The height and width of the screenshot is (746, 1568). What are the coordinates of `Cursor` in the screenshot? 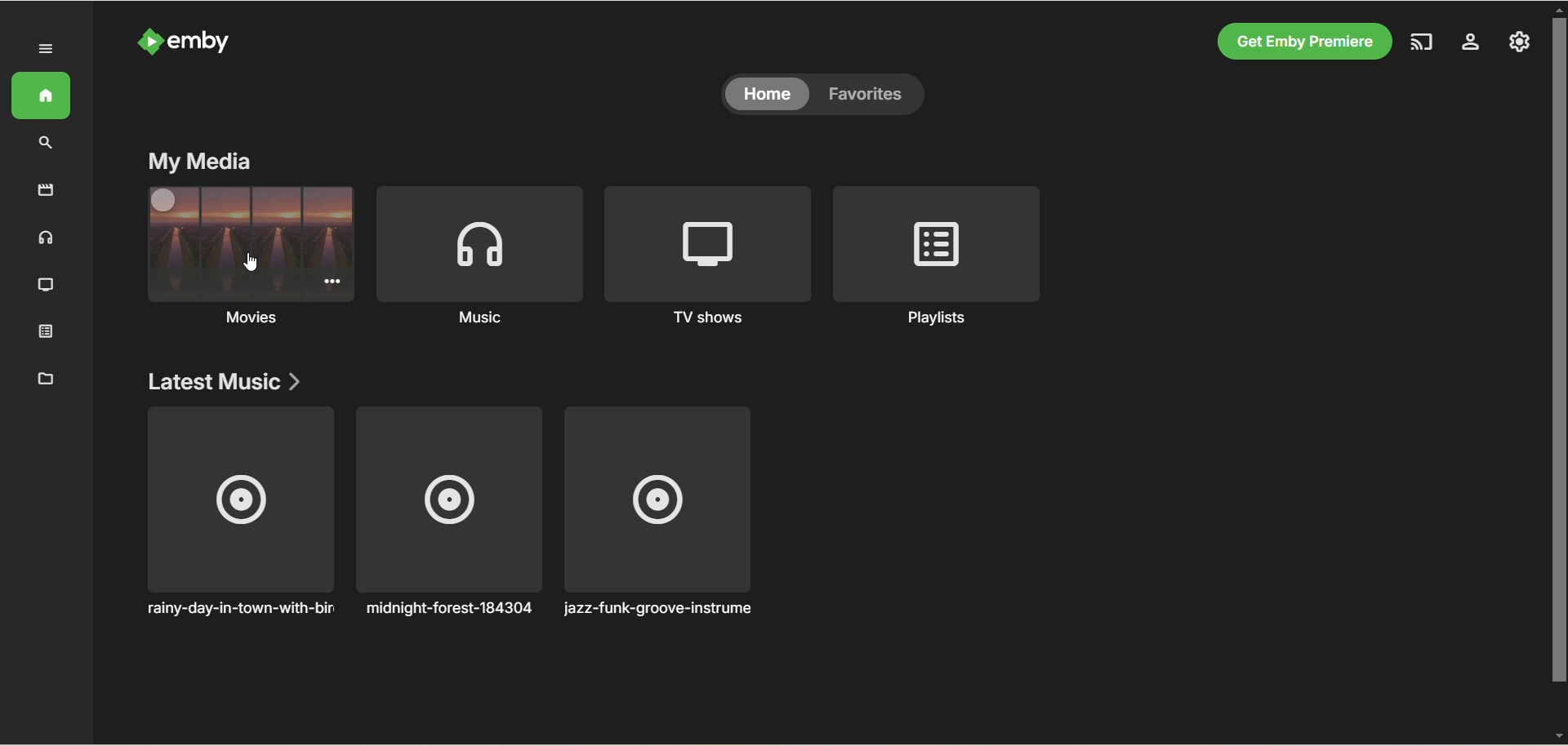 It's located at (251, 261).